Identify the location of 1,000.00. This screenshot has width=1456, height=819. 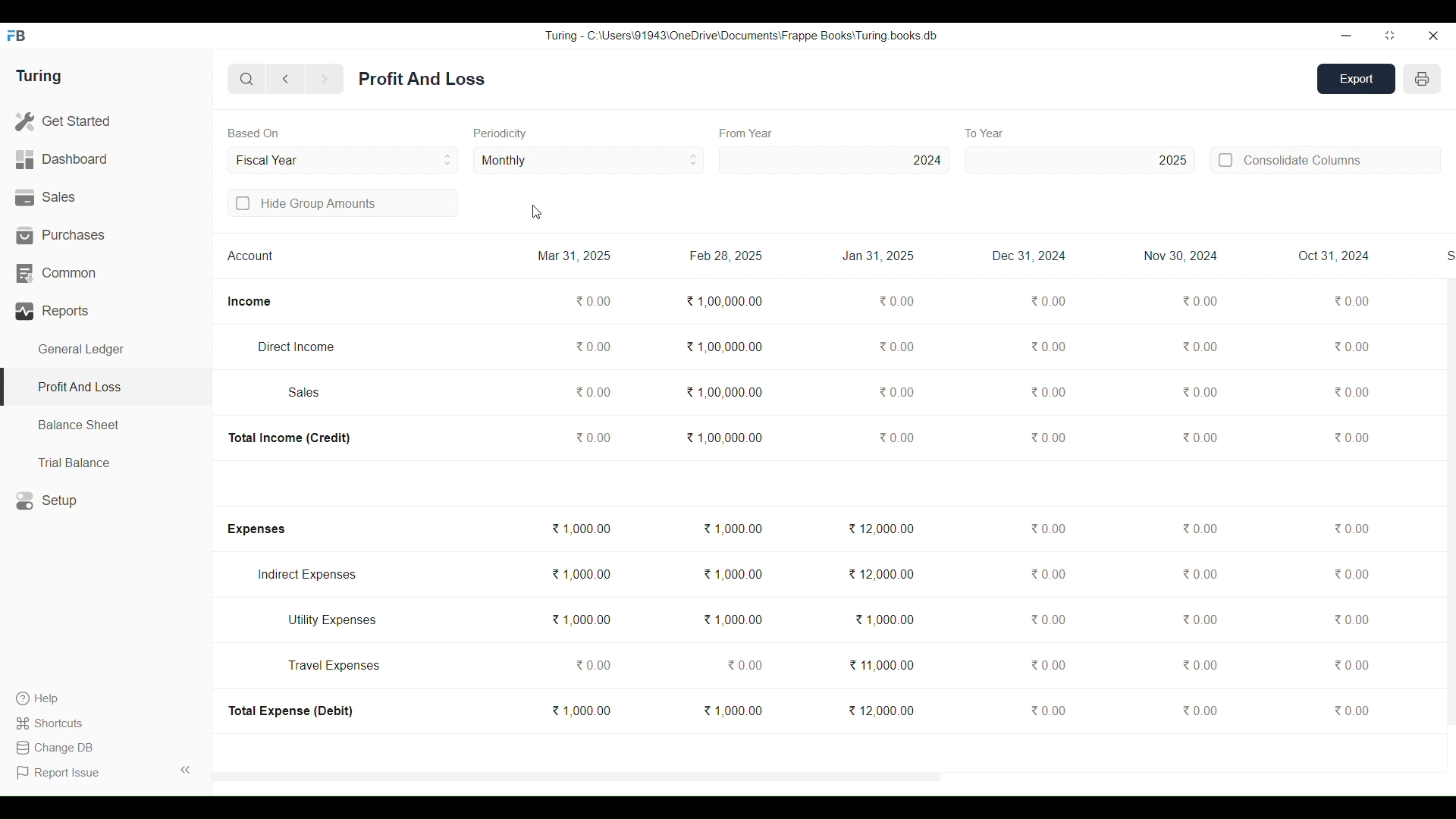
(733, 620).